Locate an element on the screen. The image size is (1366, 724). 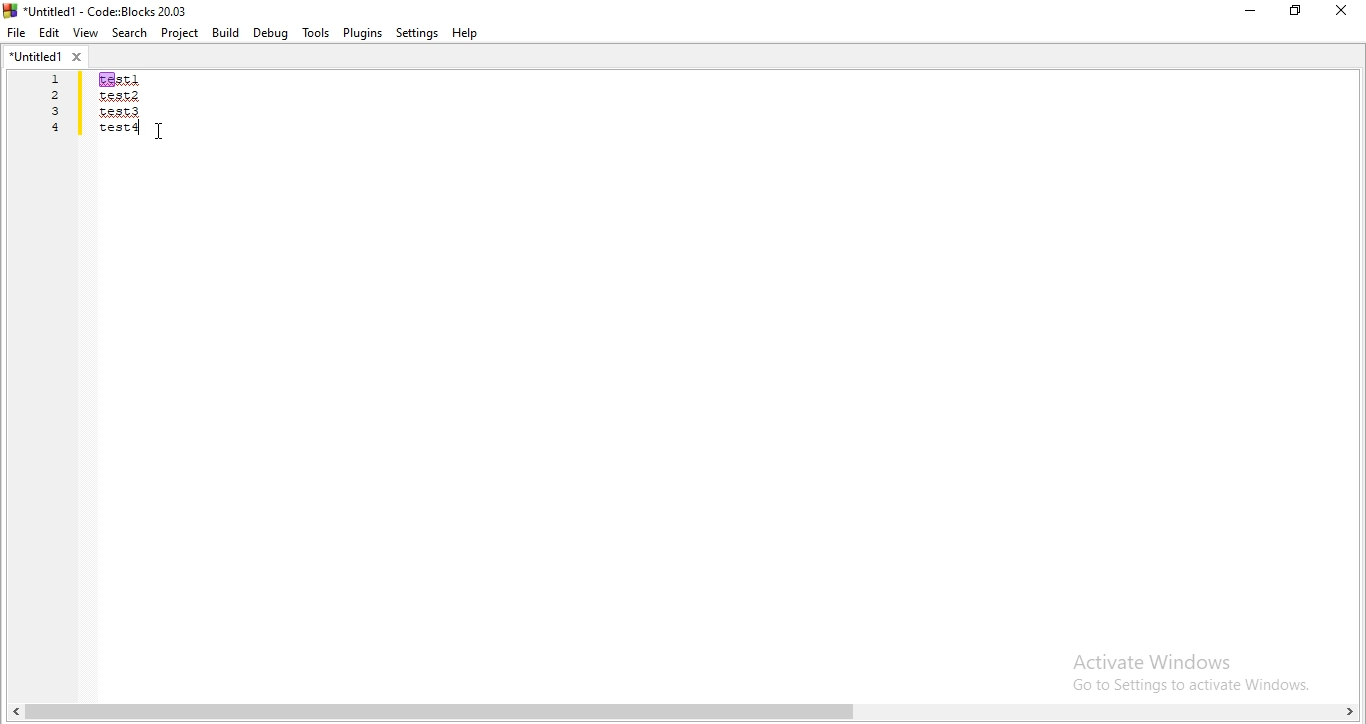
Project  is located at coordinates (181, 34).